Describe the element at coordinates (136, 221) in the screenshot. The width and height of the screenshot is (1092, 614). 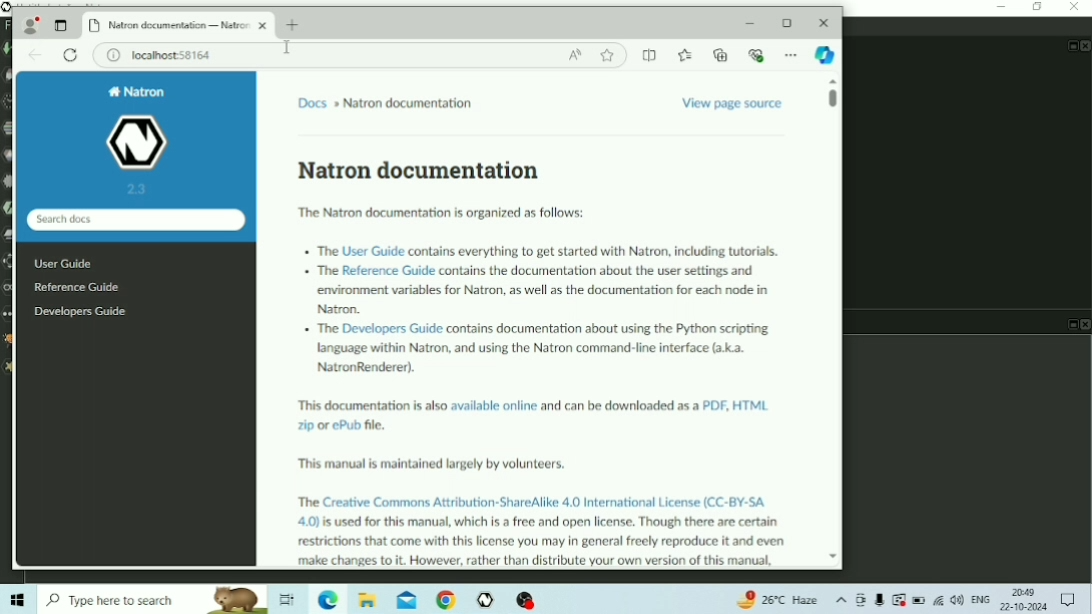
I see `Search docs` at that location.